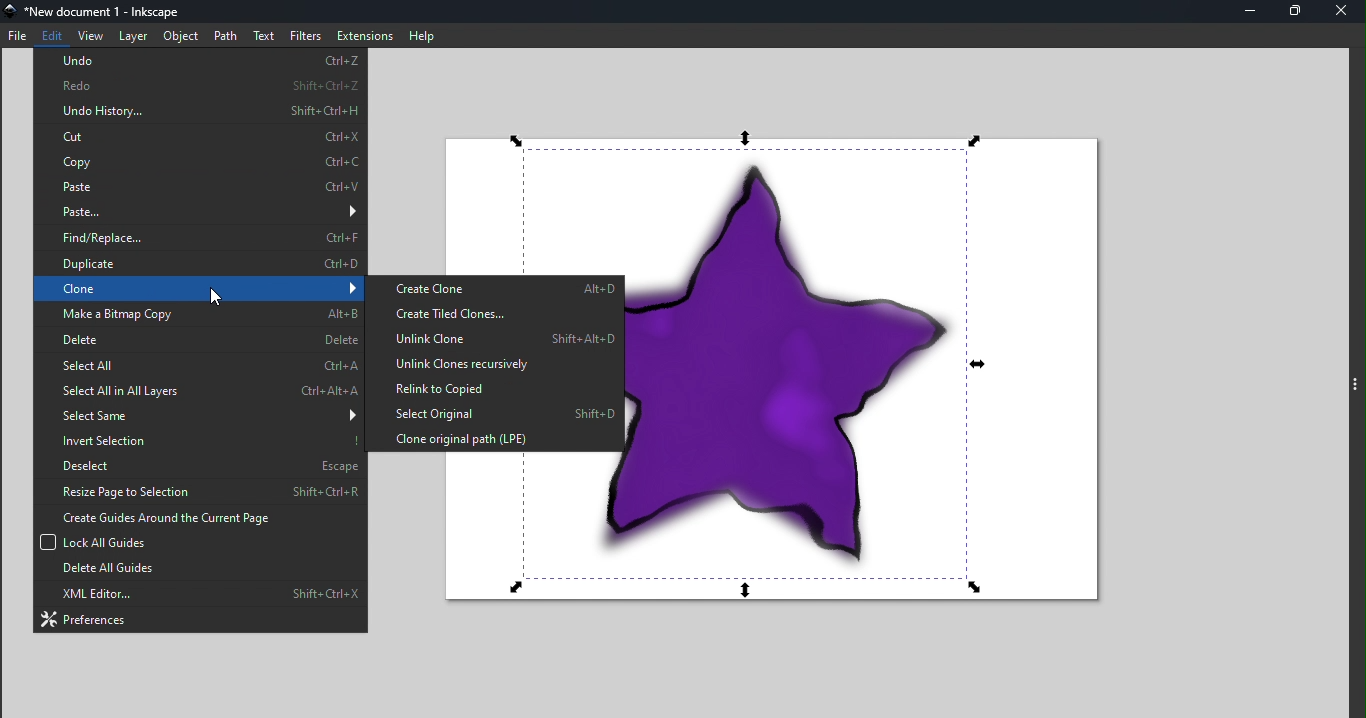  What do you see at coordinates (198, 517) in the screenshot?
I see `Create guides around the current page` at bounding box center [198, 517].